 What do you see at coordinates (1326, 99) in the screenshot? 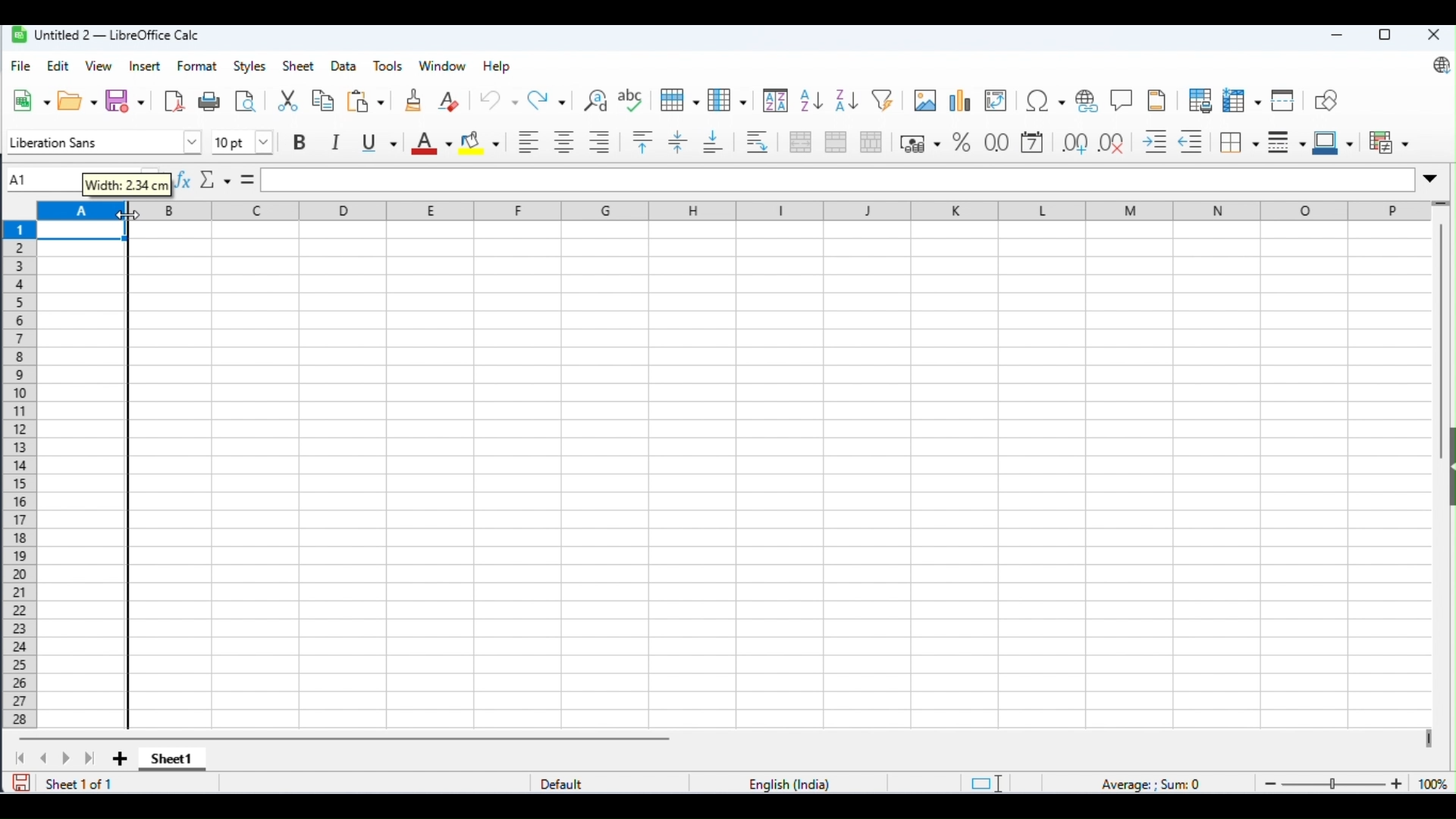
I see `show draw functions` at bounding box center [1326, 99].